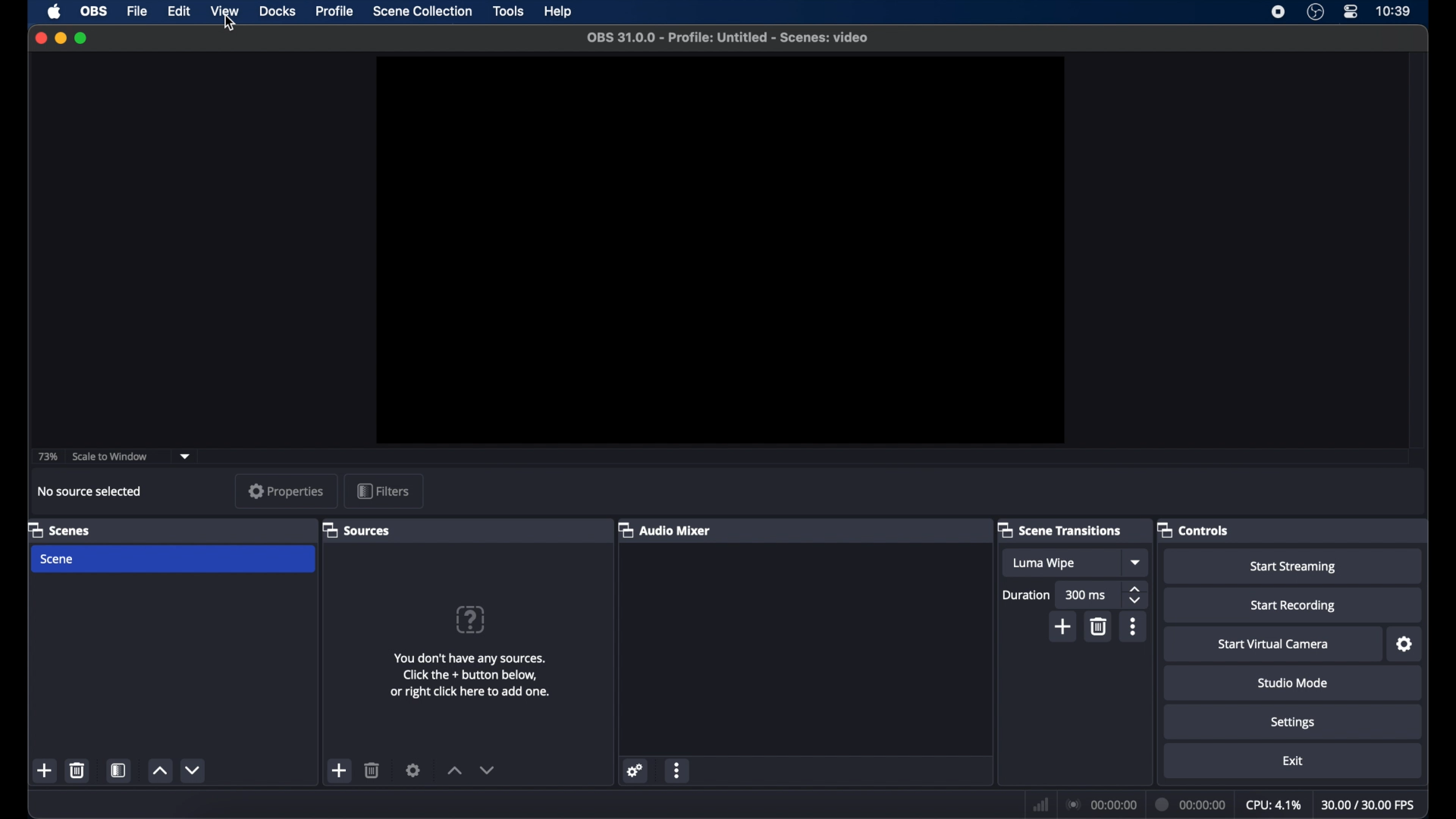 Image resolution: width=1456 pixels, height=819 pixels. I want to click on docks, so click(278, 11).